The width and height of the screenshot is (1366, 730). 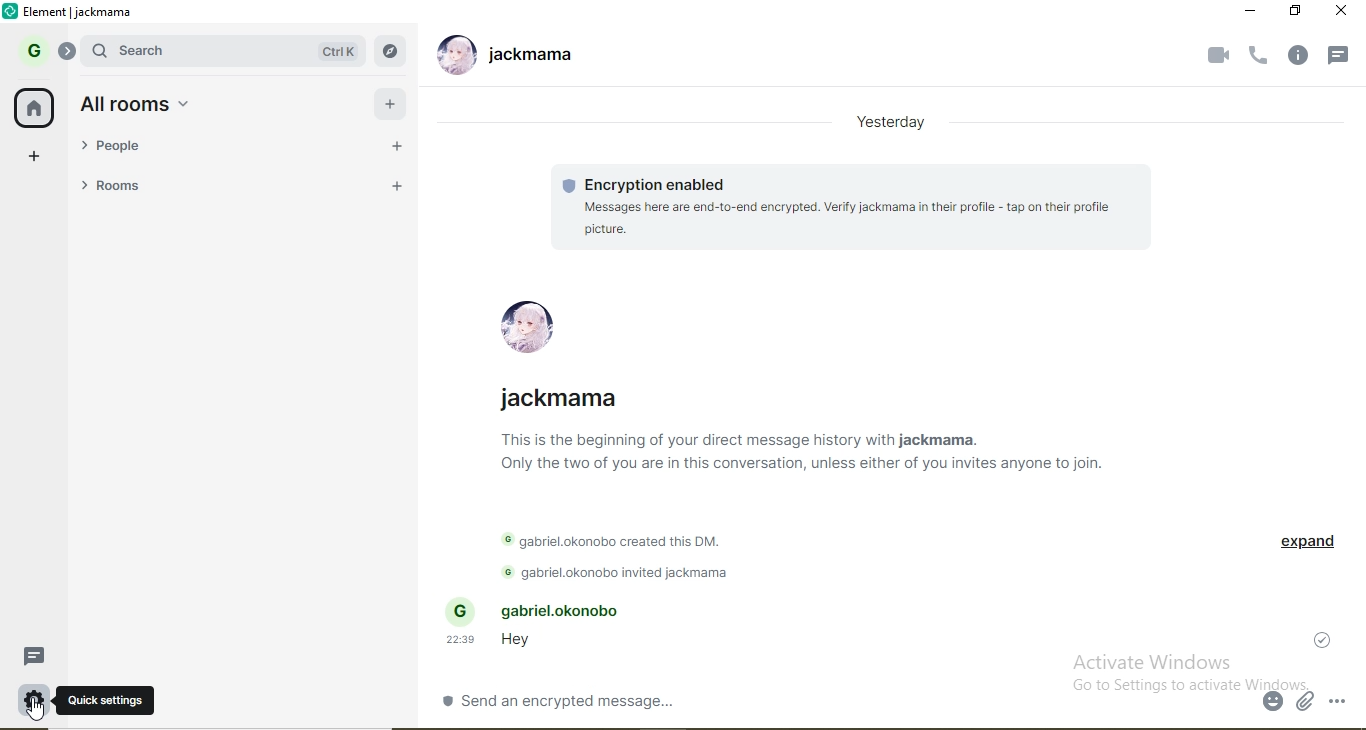 What do you see at coordinates (534, 57) in the screenshot?
I see `jackmama` at bounding box center [534, 57].